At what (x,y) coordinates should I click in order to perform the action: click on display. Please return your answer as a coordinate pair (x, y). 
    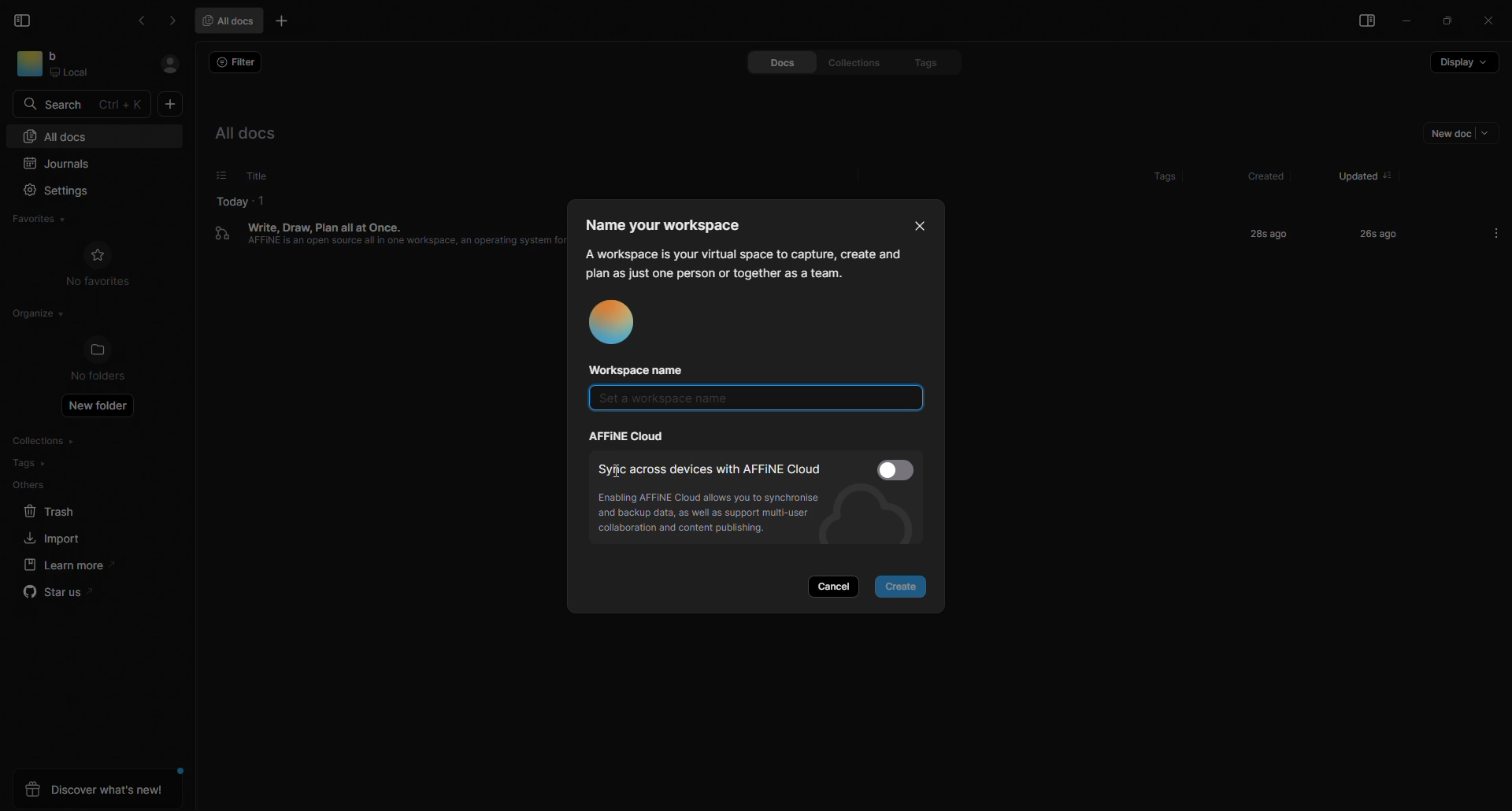
    Looking at the image, I should click on (1462, 67).